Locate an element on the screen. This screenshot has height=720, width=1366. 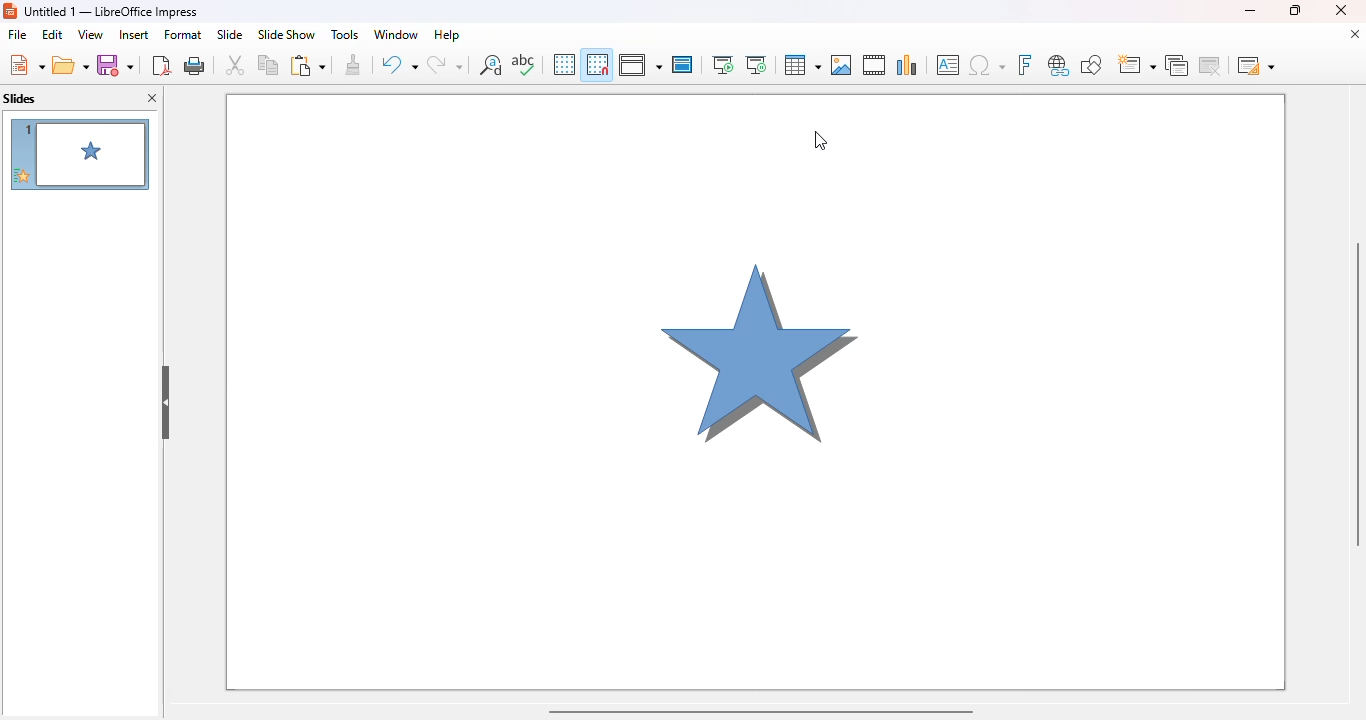
hide is located at coordinates (165, 403).